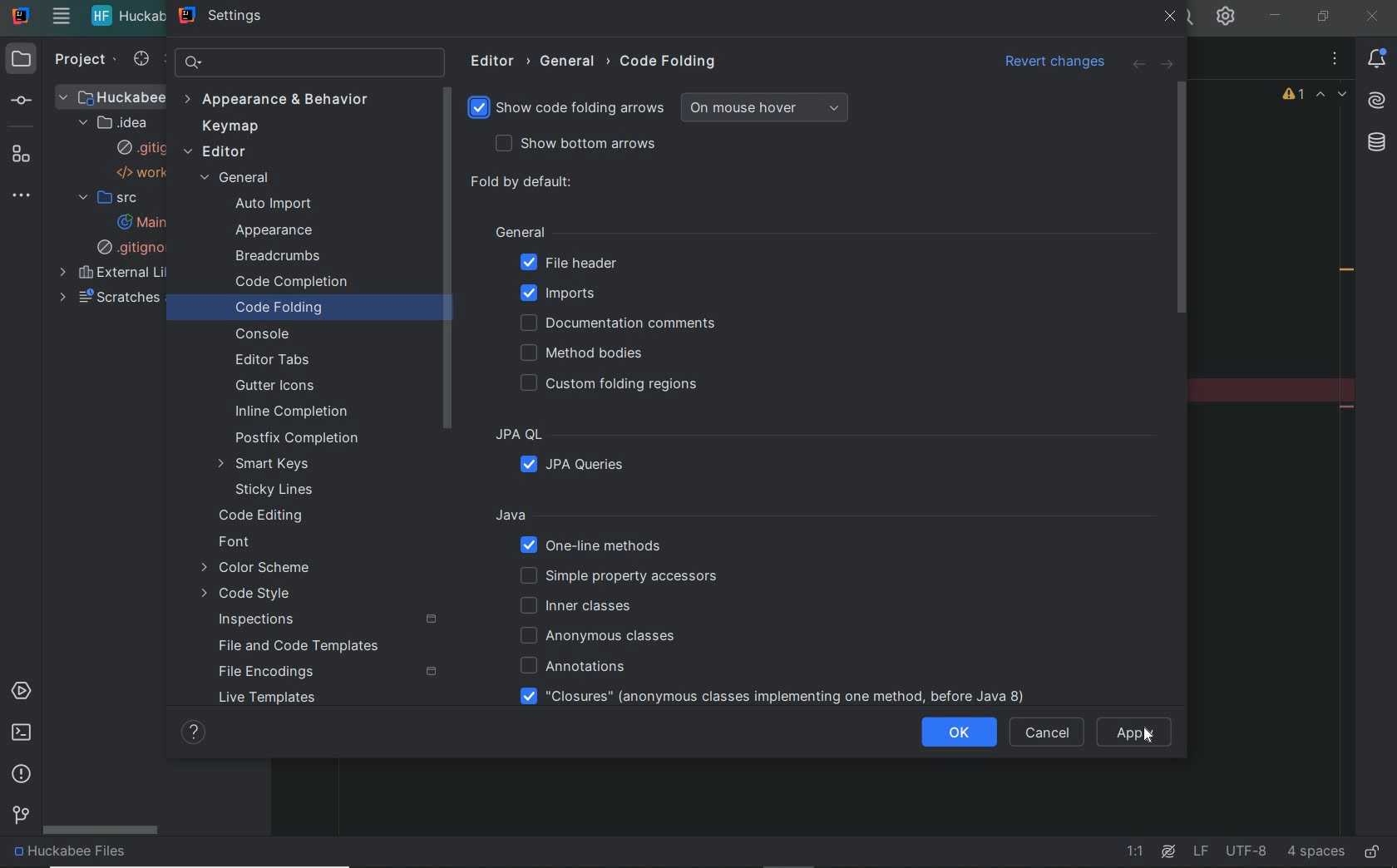 The image size is (1397, 868). I want to click on gitignore, so click(145, 147).